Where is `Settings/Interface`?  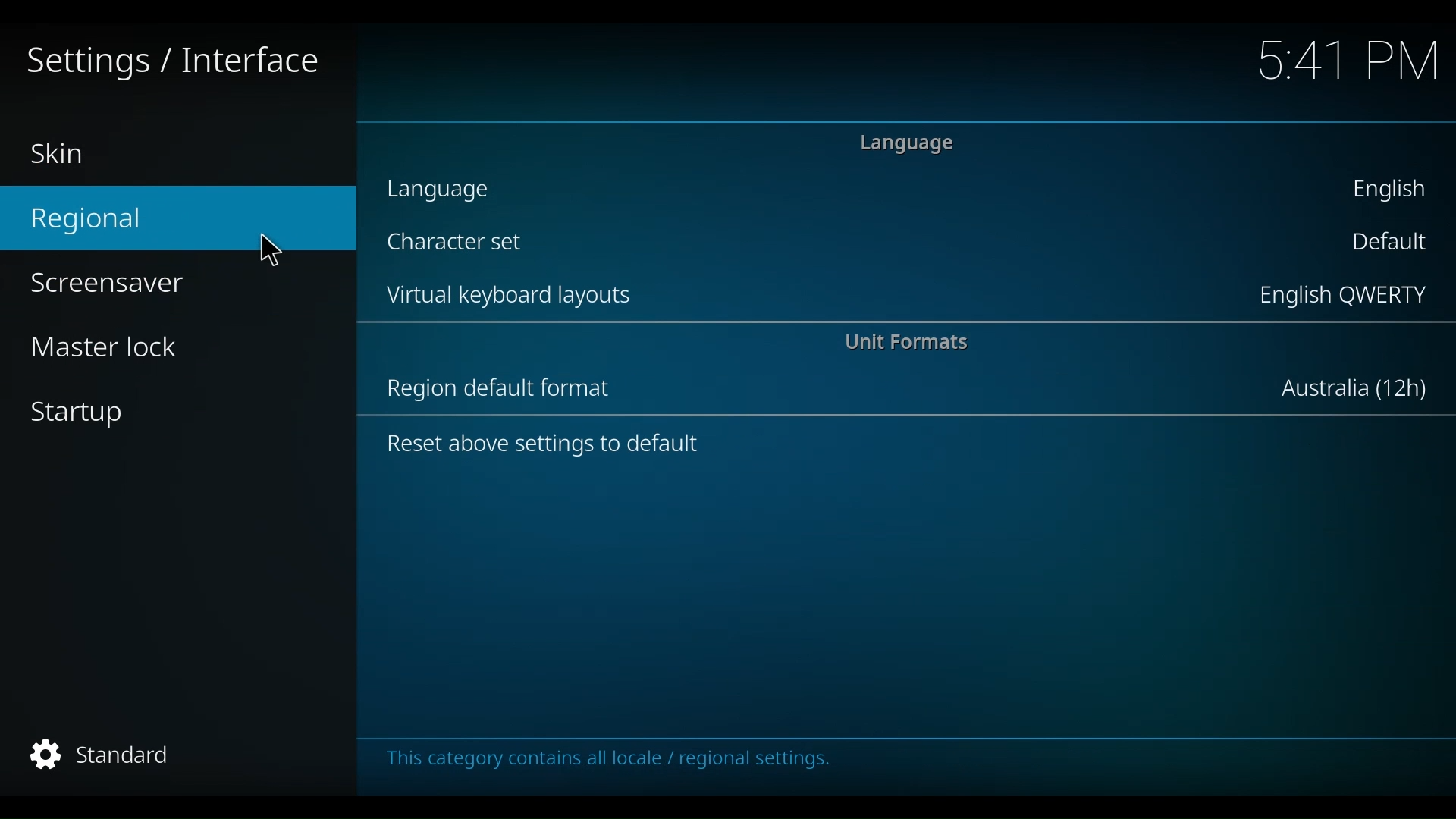
Settings/Interface is located at coordinates (169, 64).